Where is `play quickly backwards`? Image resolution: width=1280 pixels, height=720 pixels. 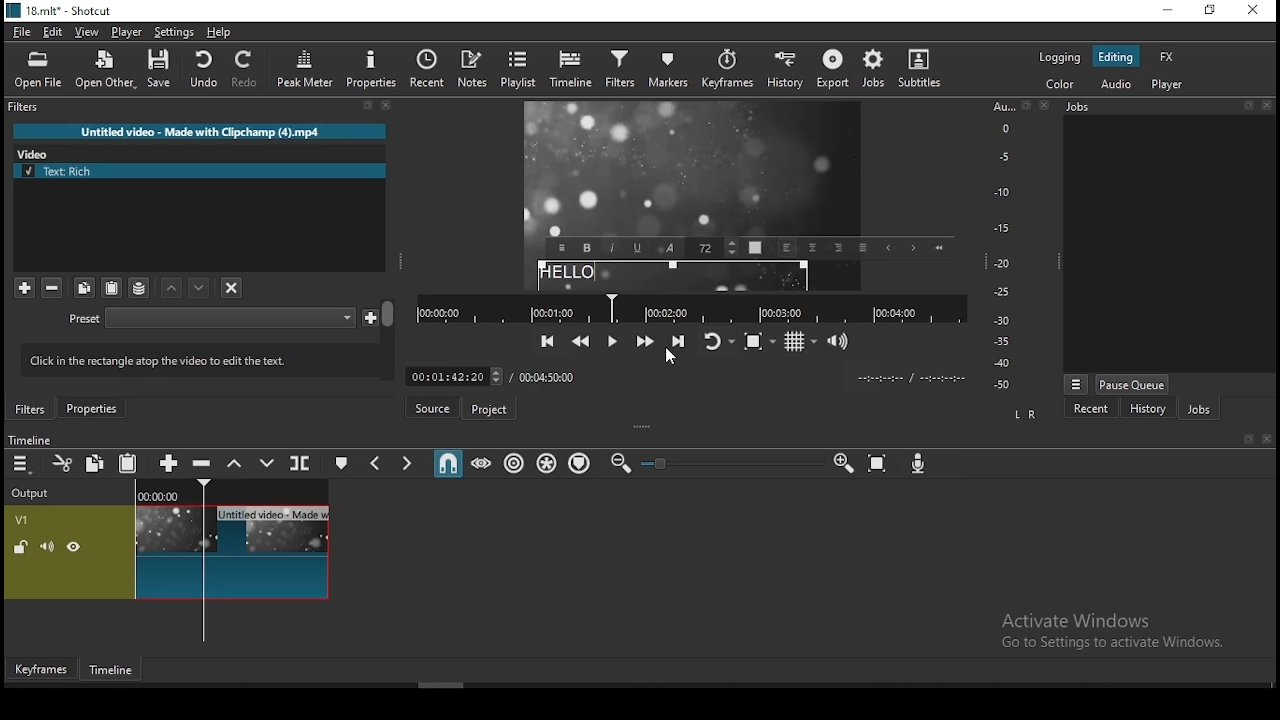 play quickly backwards is located at coordinates (580, 341).